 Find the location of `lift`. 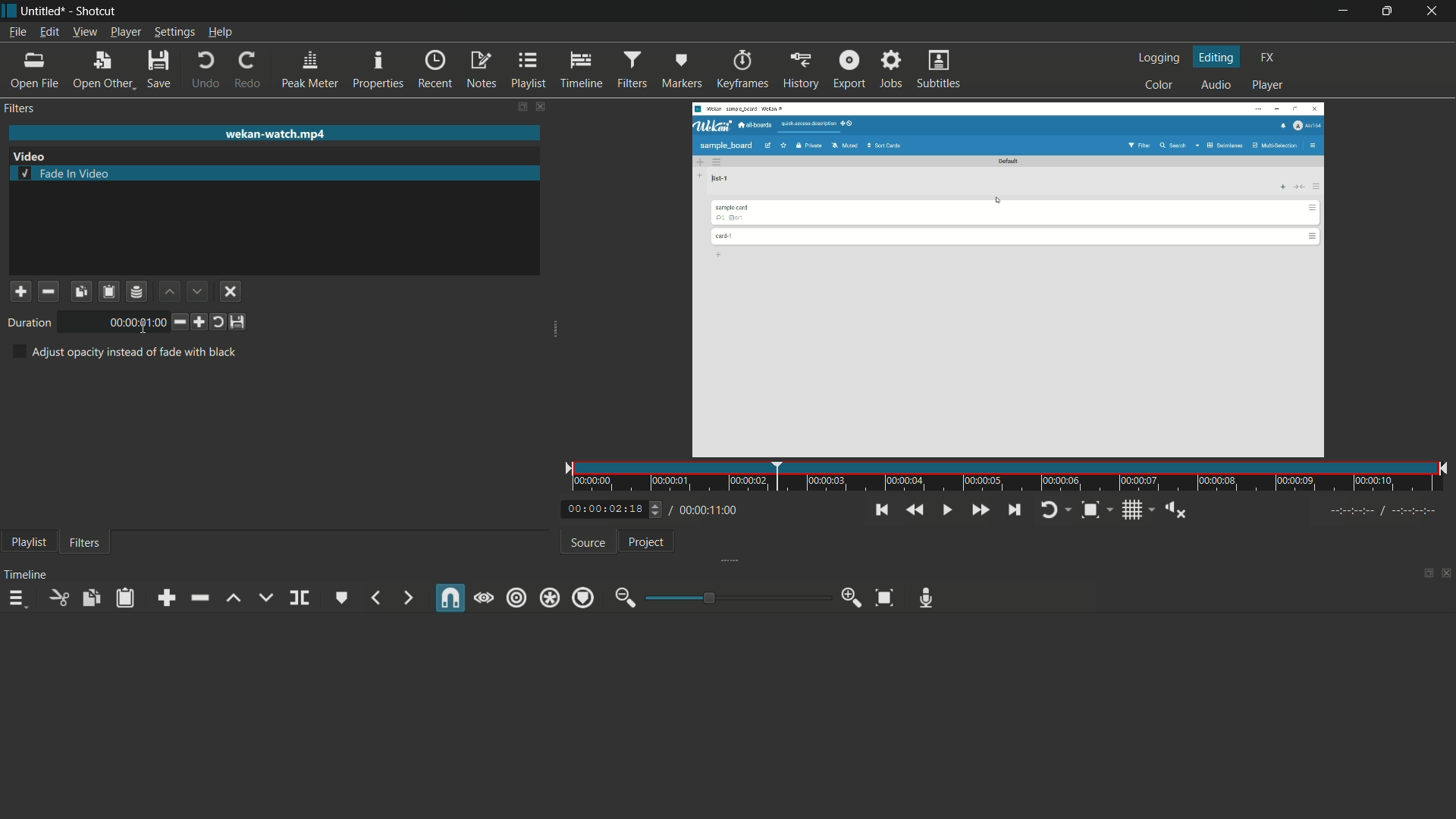

lift is located at coordinates (234, 598).